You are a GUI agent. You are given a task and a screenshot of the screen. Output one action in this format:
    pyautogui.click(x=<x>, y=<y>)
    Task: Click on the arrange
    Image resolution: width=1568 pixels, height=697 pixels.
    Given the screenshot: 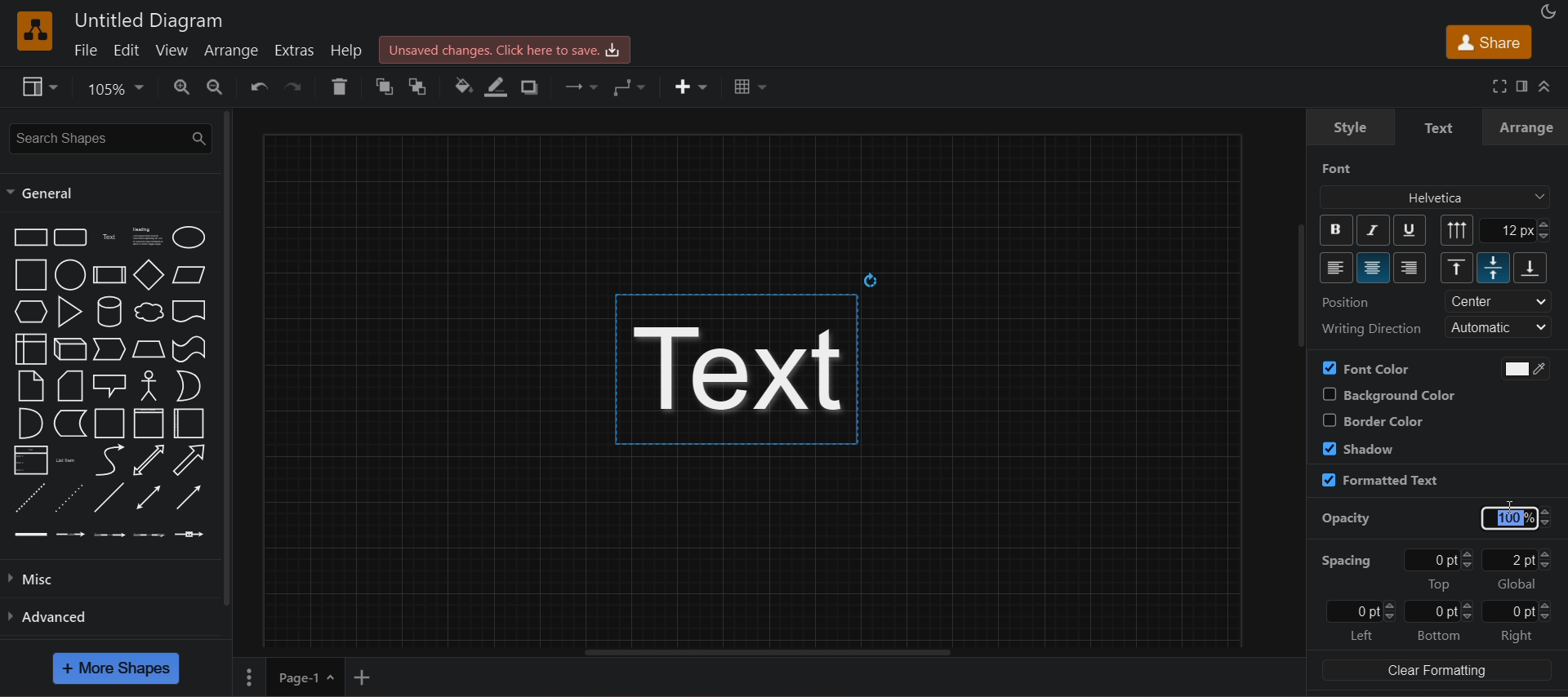 What is the action you would take?
    pyautogui.click(x=1526, y=127)
    